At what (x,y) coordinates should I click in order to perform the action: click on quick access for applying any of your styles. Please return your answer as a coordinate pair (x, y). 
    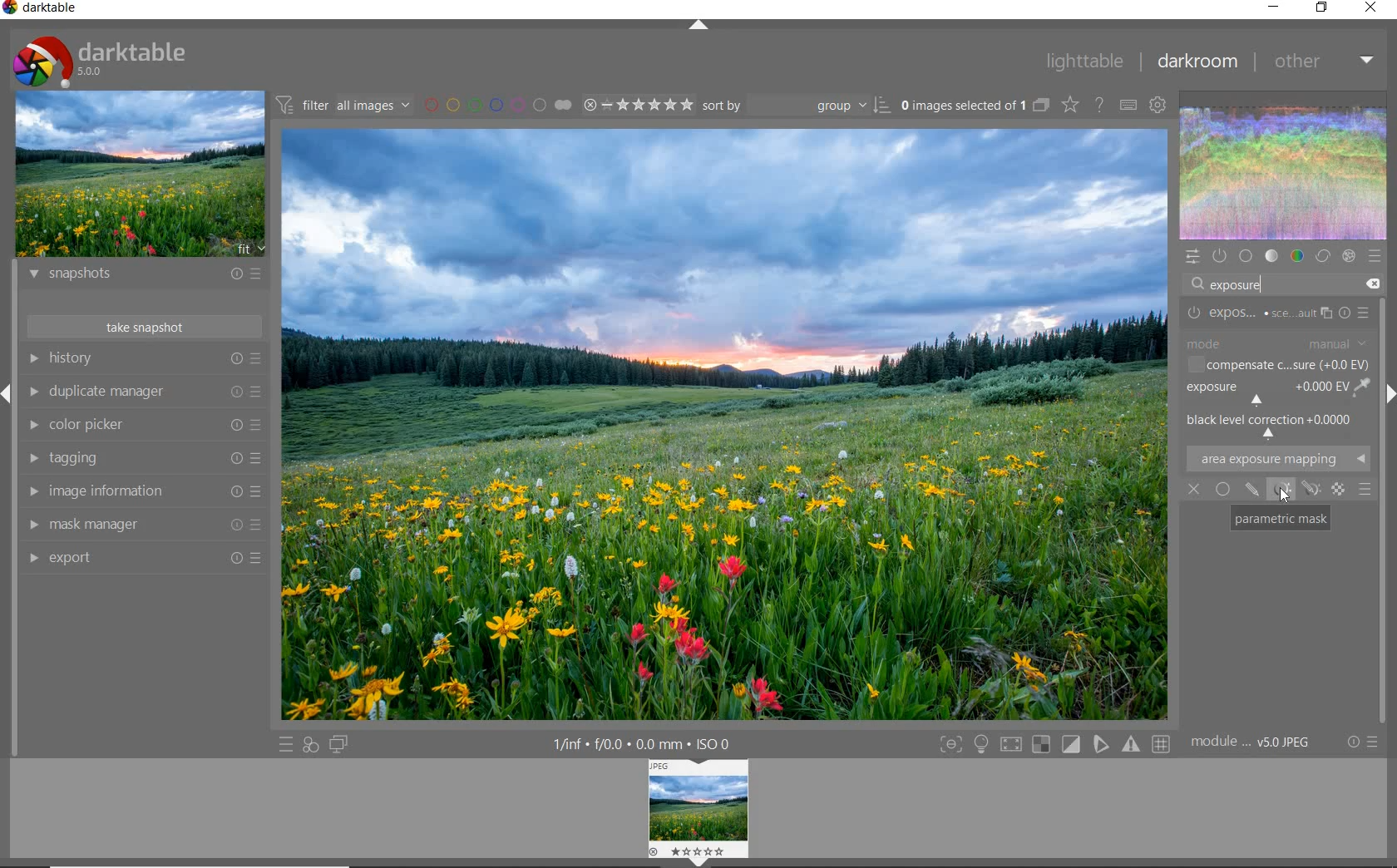
    Looking at the image, I should click on (309, 746).